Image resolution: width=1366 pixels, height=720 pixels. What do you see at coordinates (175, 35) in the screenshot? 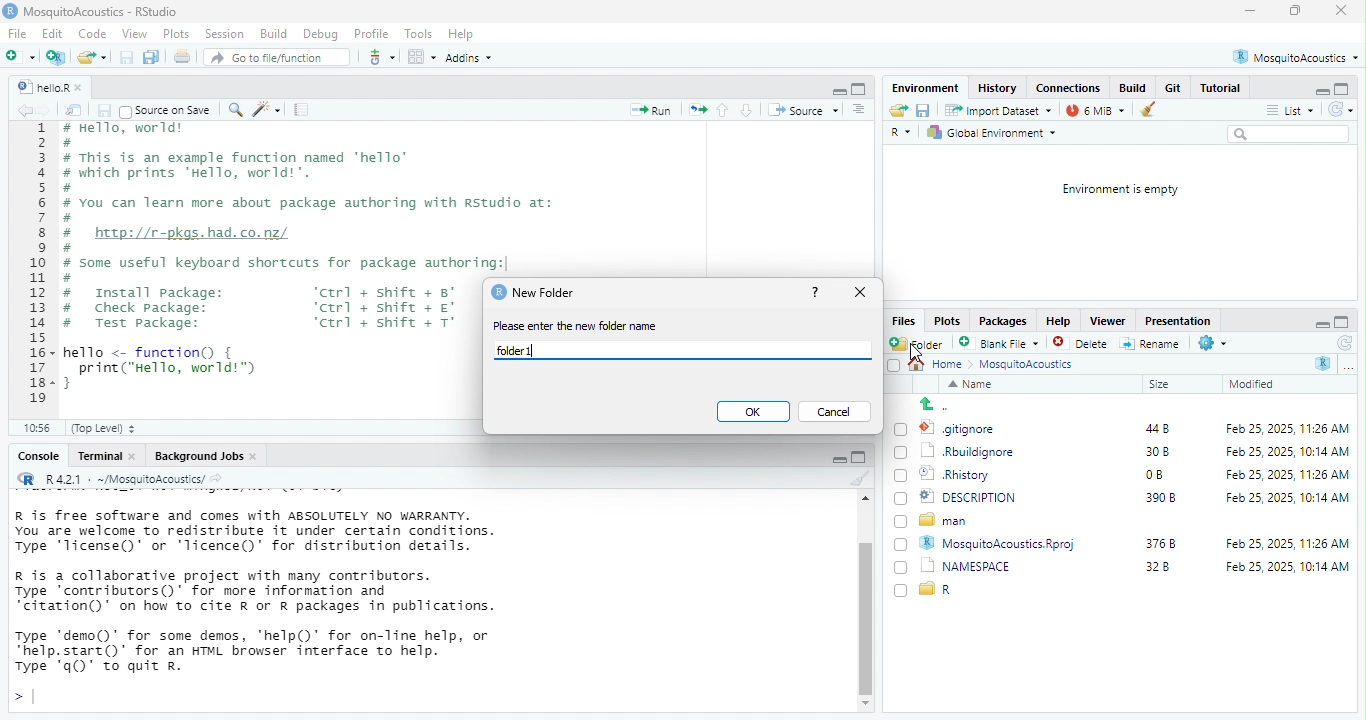
I see `Plots` at bounding box center [175, 35].